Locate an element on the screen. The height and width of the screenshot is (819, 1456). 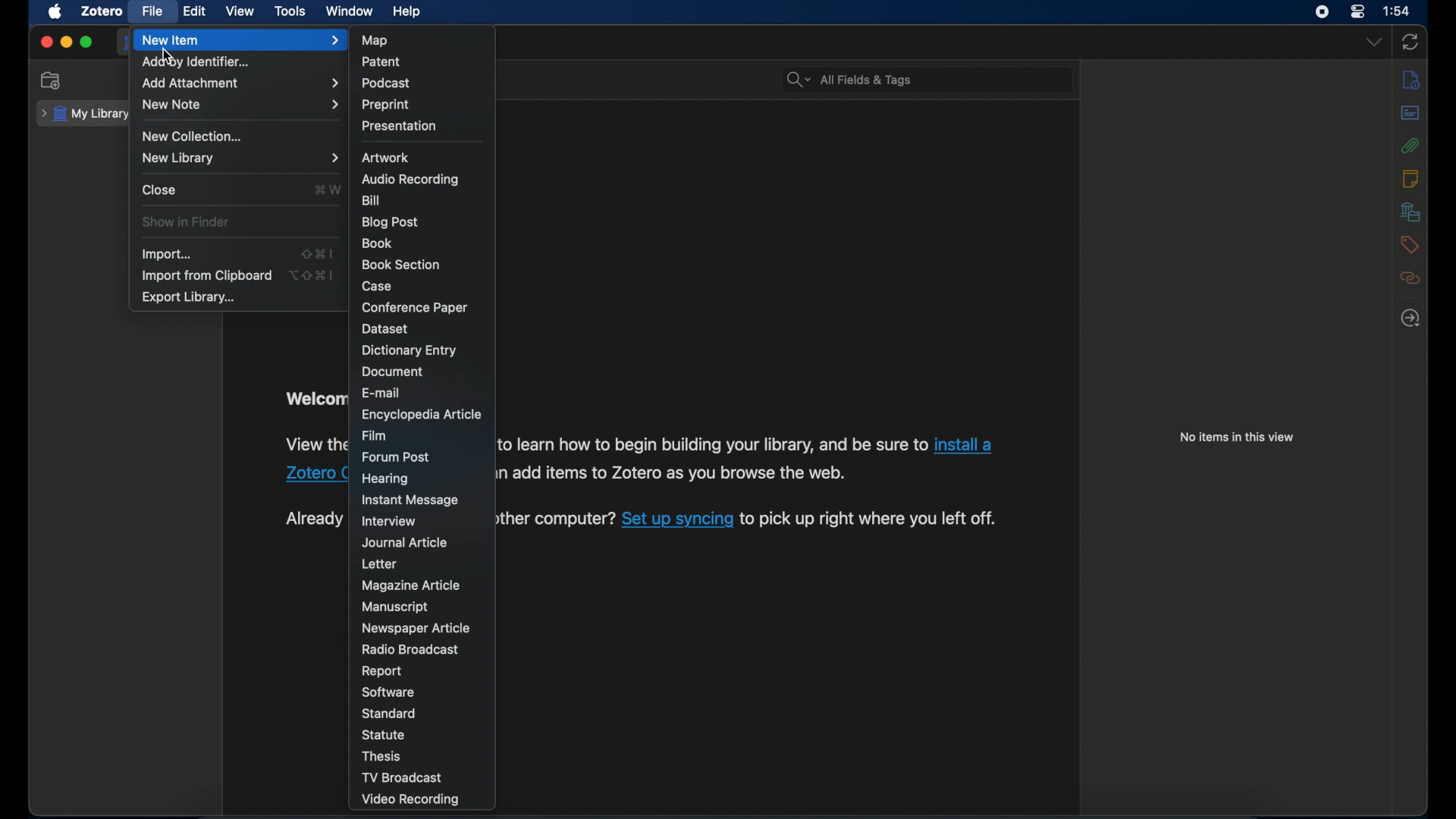
close is located at coordinates (45, 42).